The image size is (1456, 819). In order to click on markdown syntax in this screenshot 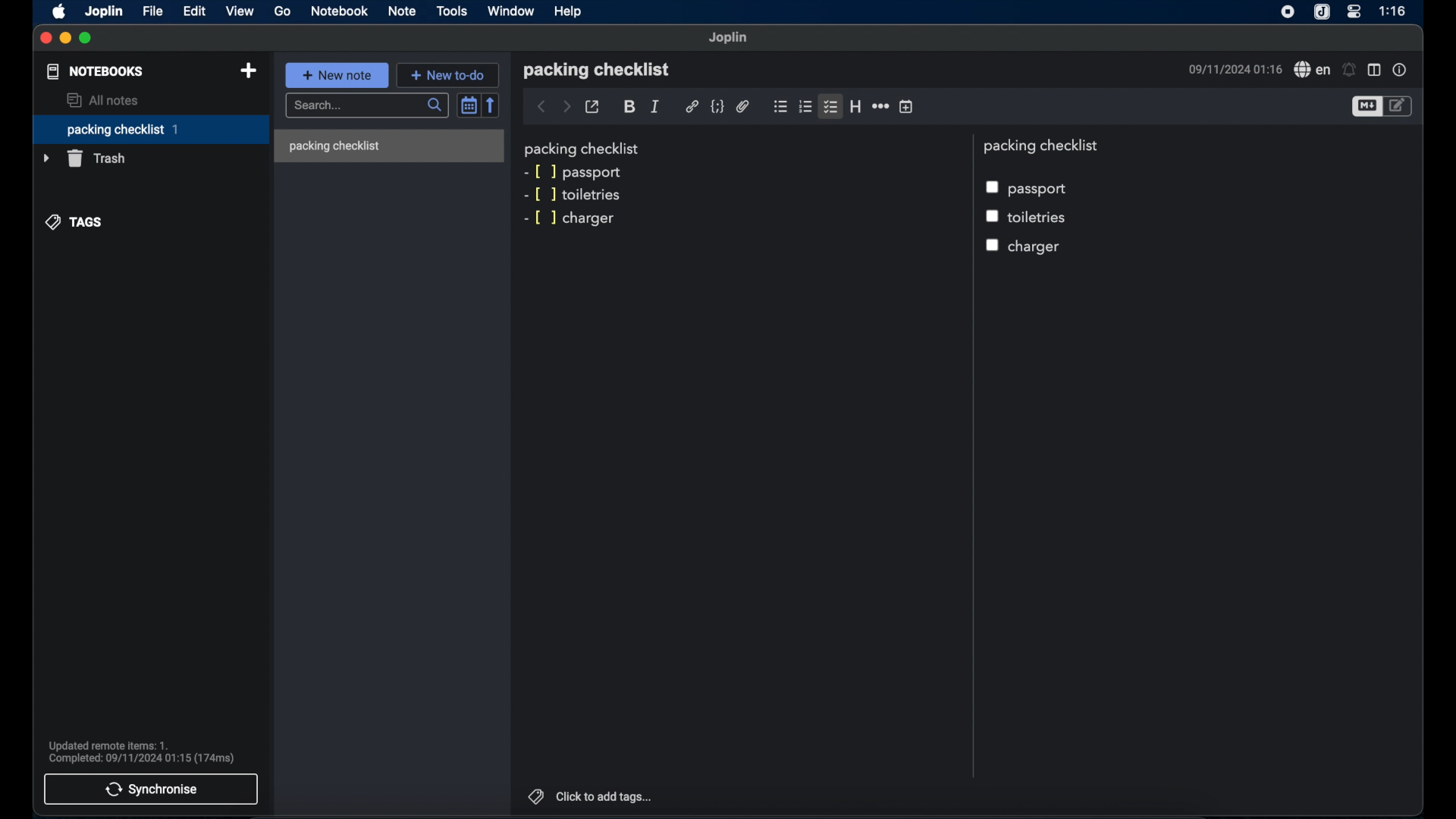, I will do `click(541, 218)`.